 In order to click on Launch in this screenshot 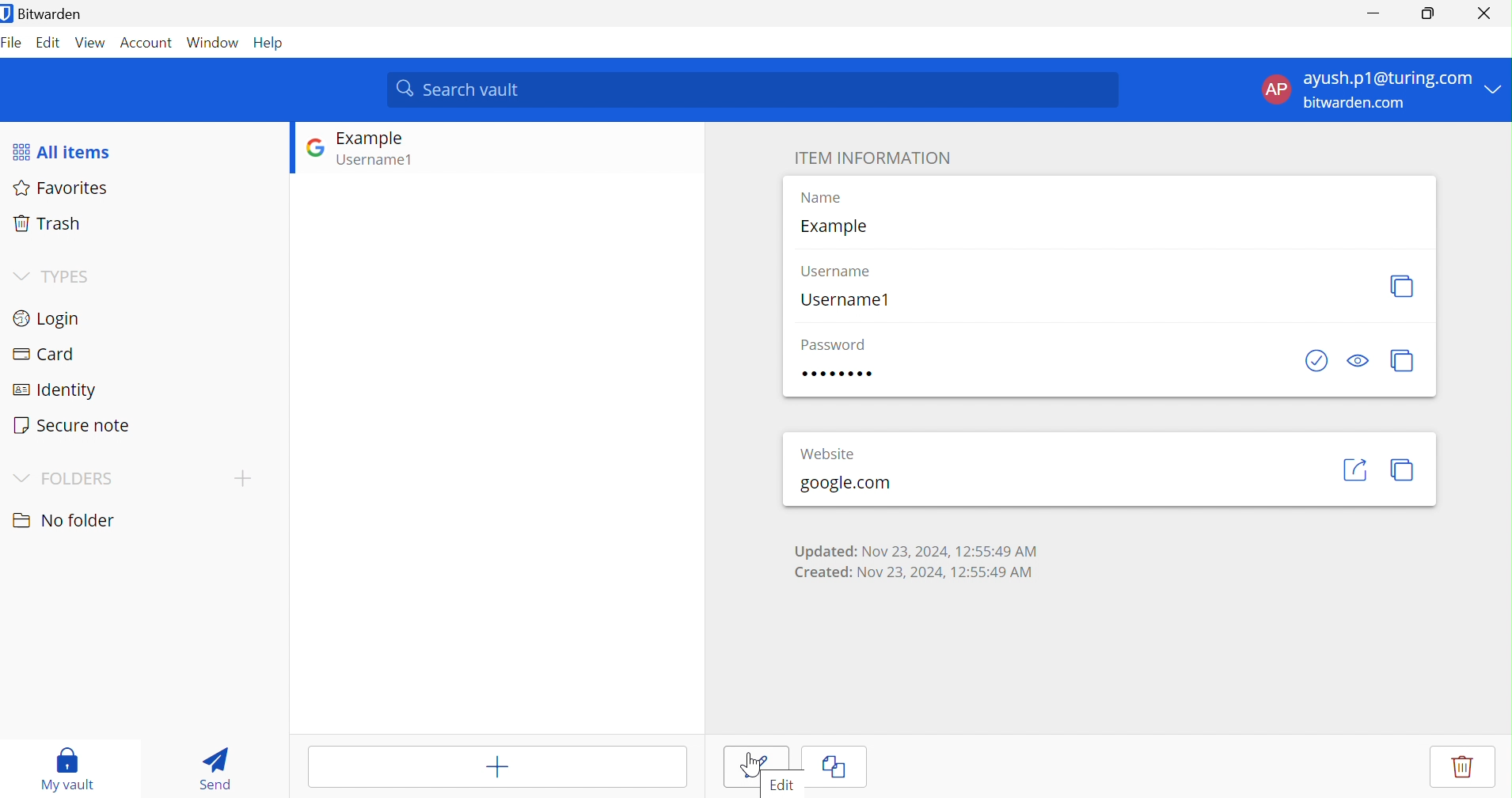, I will do `click(1354, 469)`.